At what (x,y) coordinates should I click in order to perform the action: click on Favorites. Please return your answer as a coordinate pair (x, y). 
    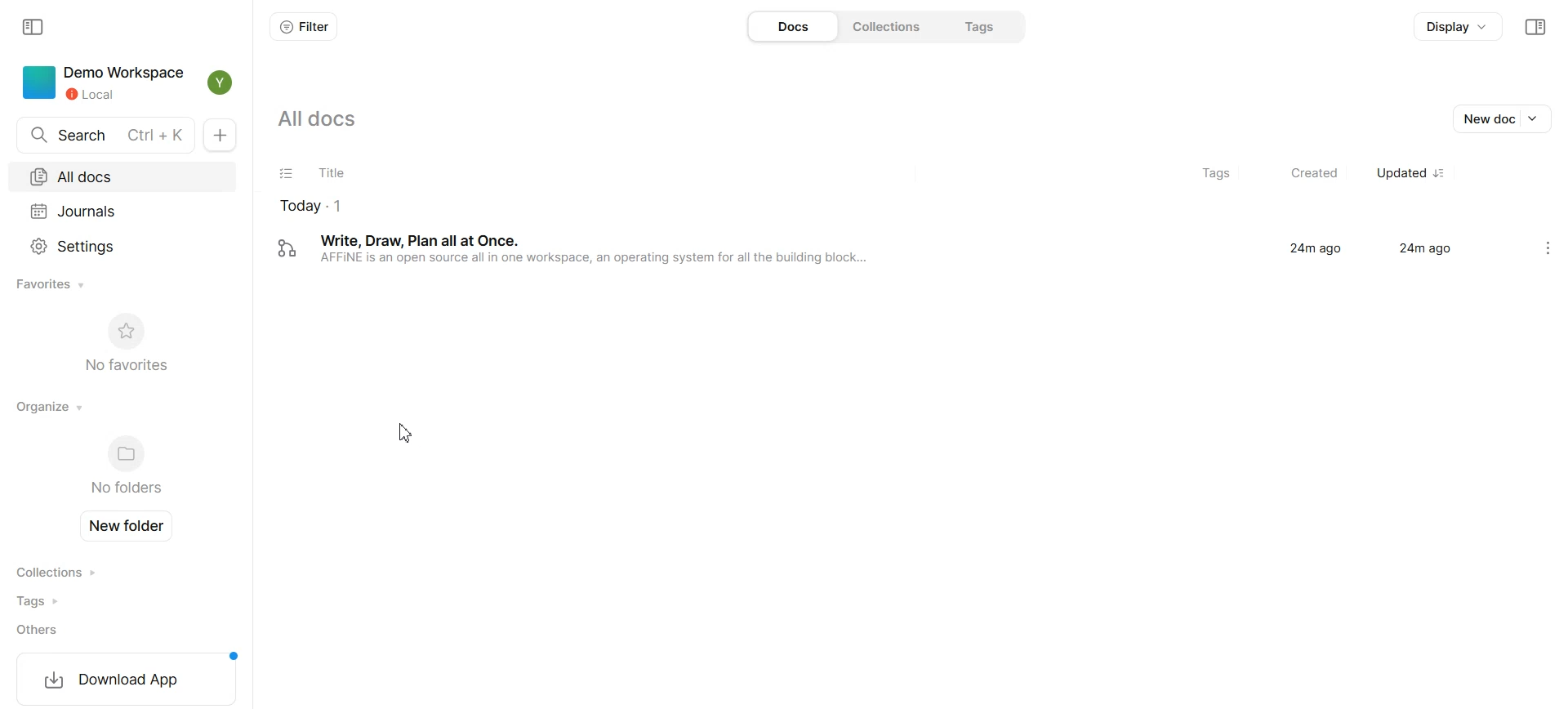
    Looking at the image, I should click on (53, 285).